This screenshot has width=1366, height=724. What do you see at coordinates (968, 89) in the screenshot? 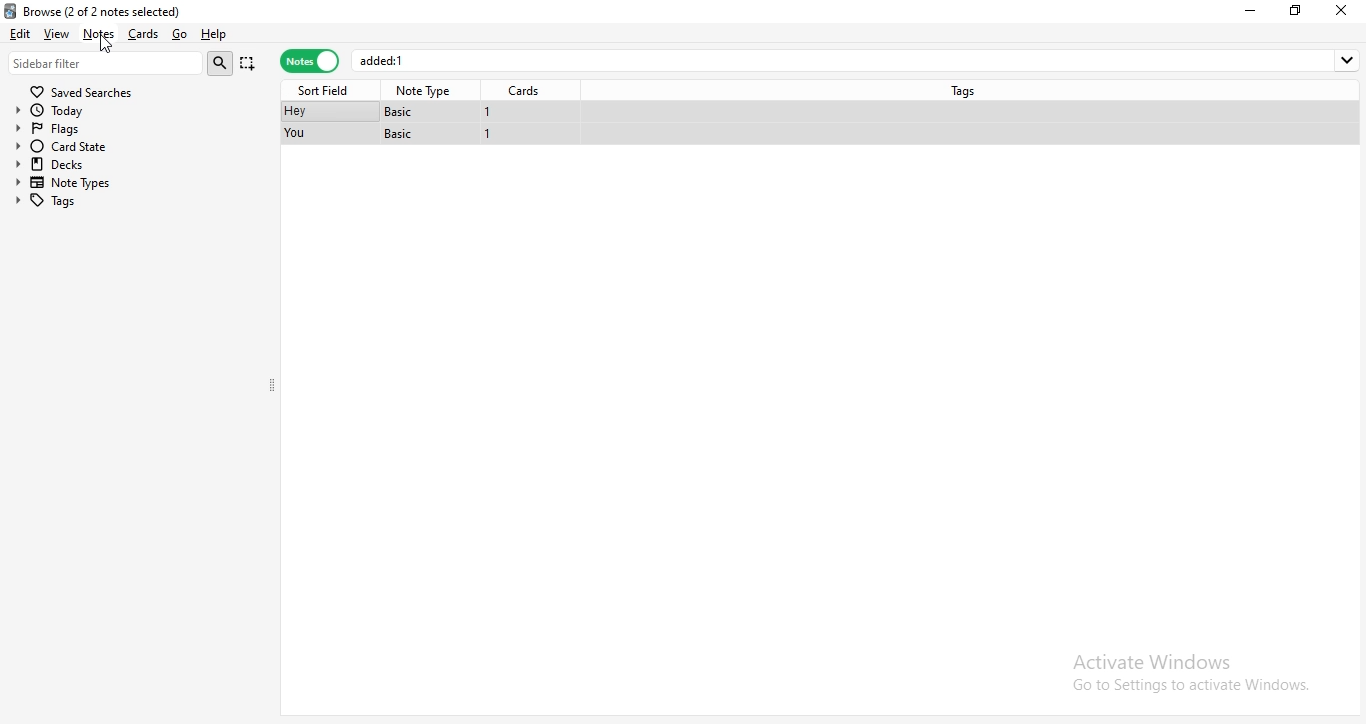
I see `tags` at bounding box center [968, 89].